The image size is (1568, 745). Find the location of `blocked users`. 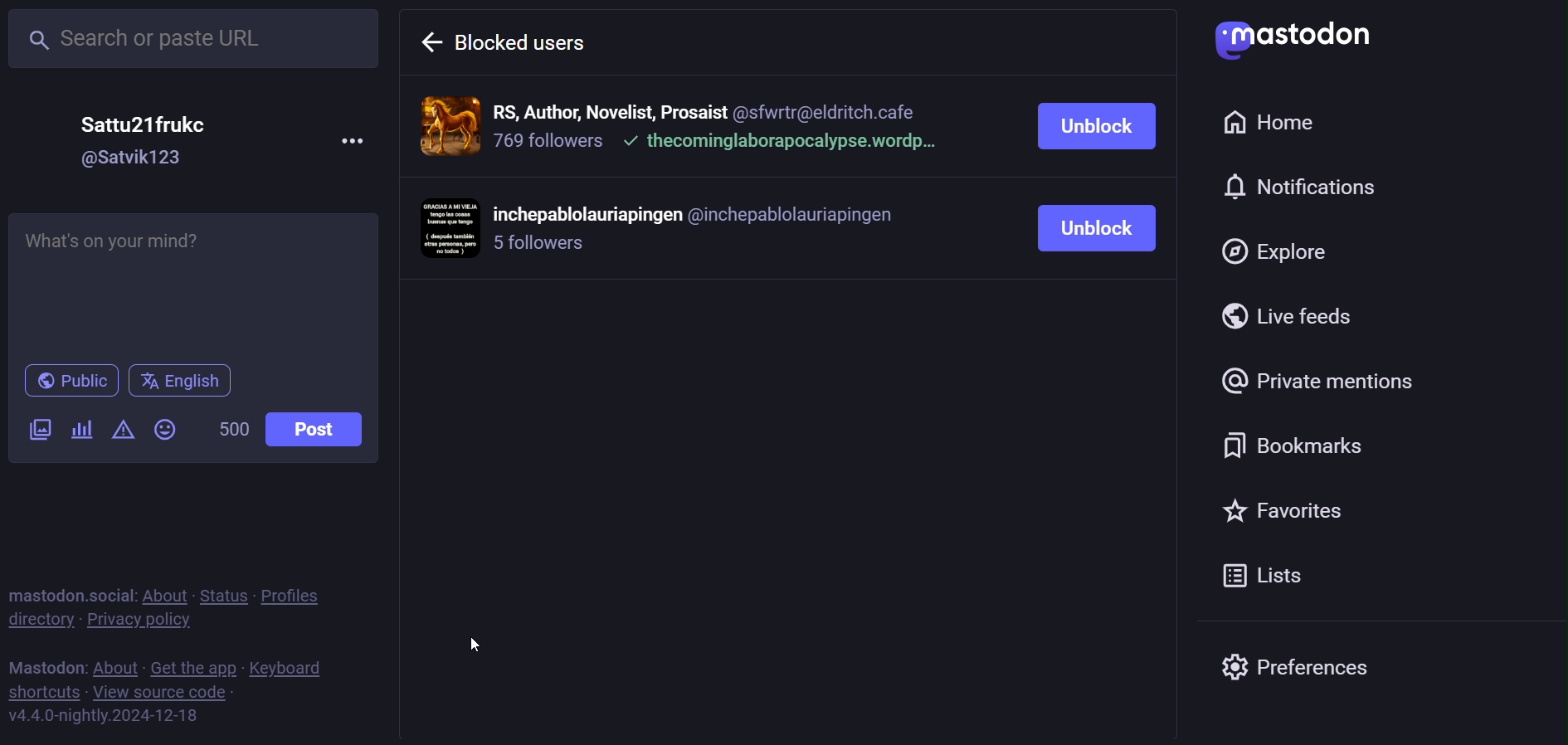

blocked users is located at coordinates (541, 41).